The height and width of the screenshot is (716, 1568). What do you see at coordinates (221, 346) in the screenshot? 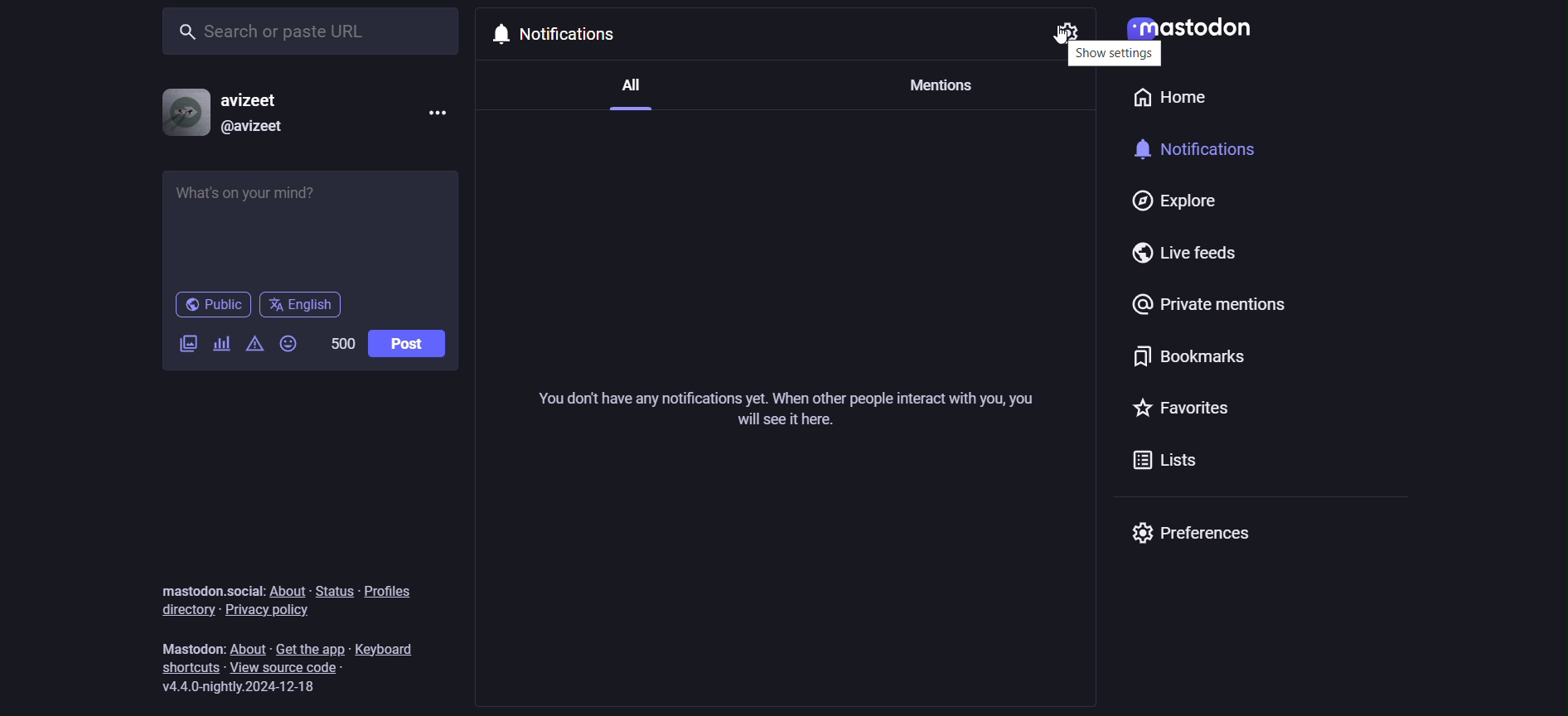
I see `add a poll` at bounding box center [221, 346].